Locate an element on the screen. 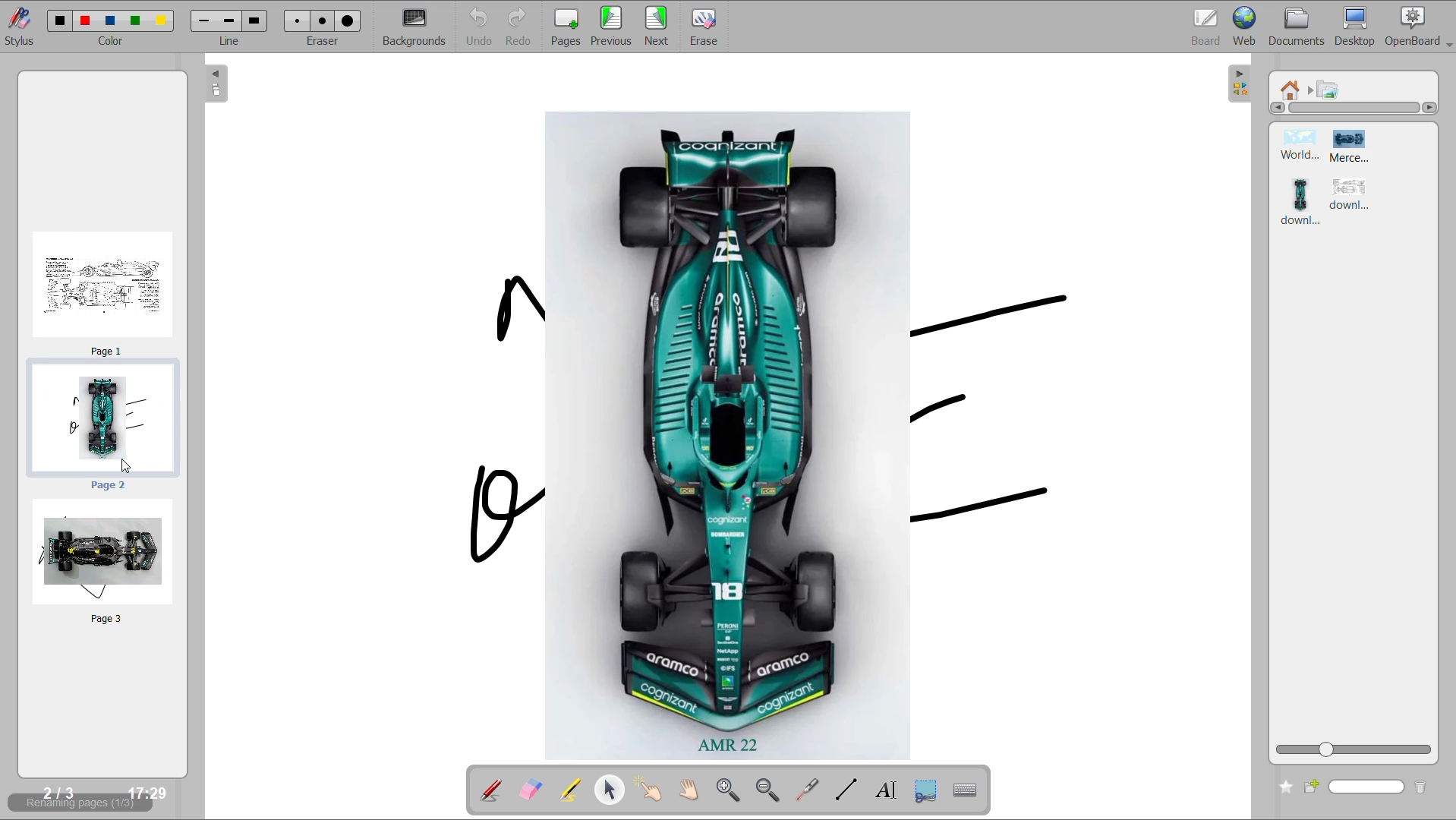 The width and height of the screenshot is (1456, 820). color 3 is located at coordinates (110, 20).